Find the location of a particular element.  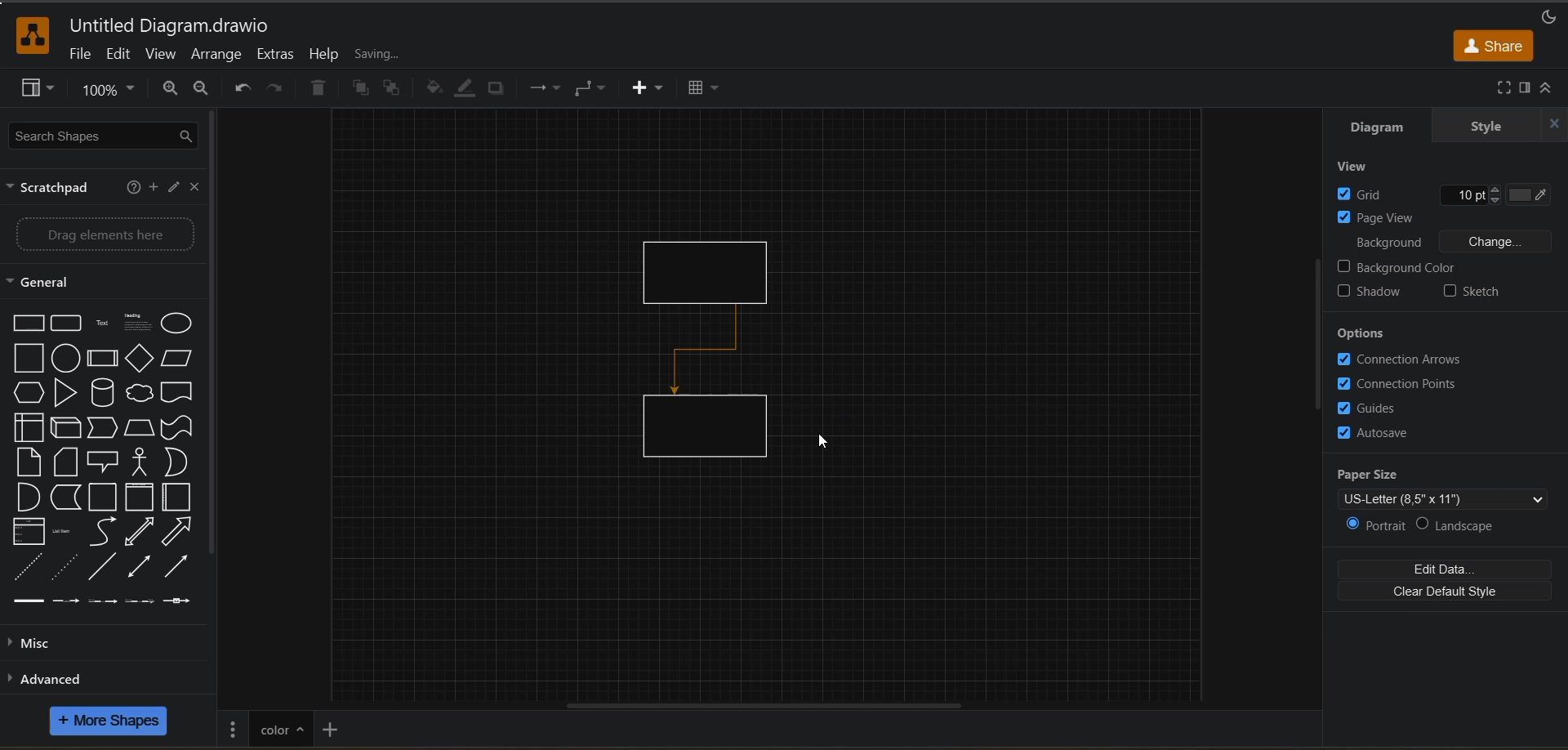

Connector with 2 label is located at coordinates (102, 601).